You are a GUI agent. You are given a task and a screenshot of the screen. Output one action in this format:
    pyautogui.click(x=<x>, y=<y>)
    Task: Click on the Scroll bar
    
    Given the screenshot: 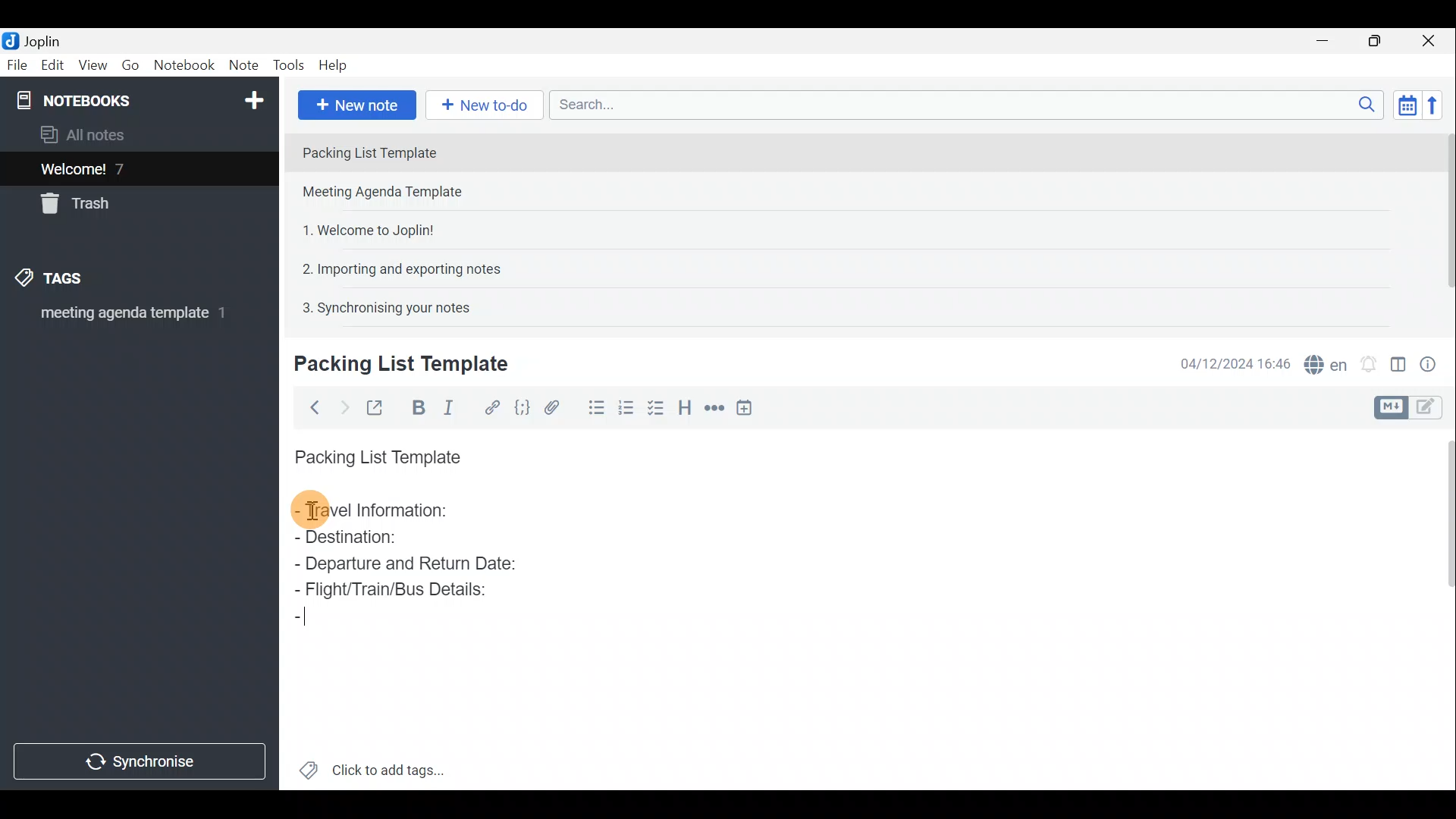 What is the action you would take?
    pyautogui.click(x=1442, y=221)
    